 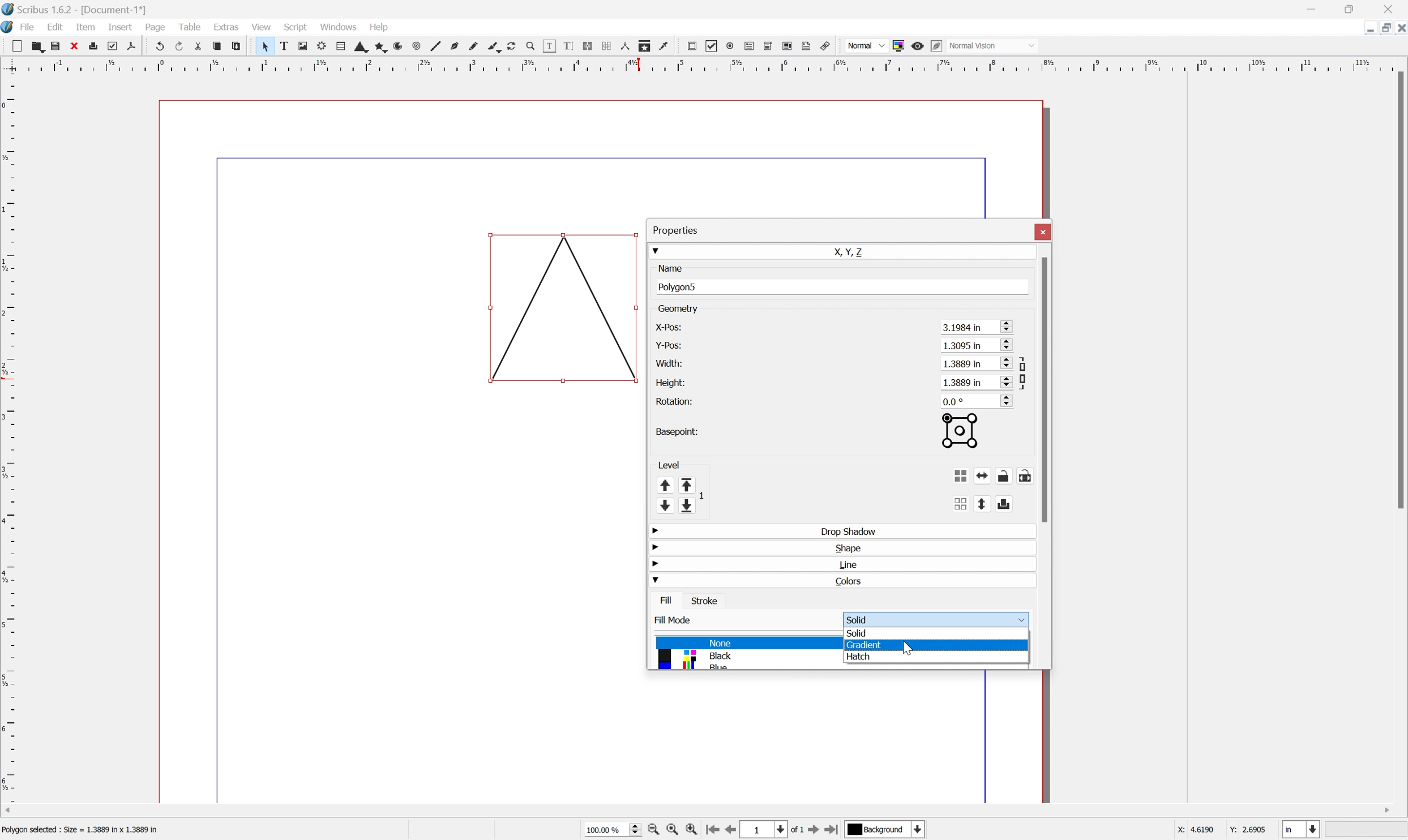 What do you see at coordinates (286, 46) in the screenshot?
I see `Text frame` at bounding box center [286, 46].